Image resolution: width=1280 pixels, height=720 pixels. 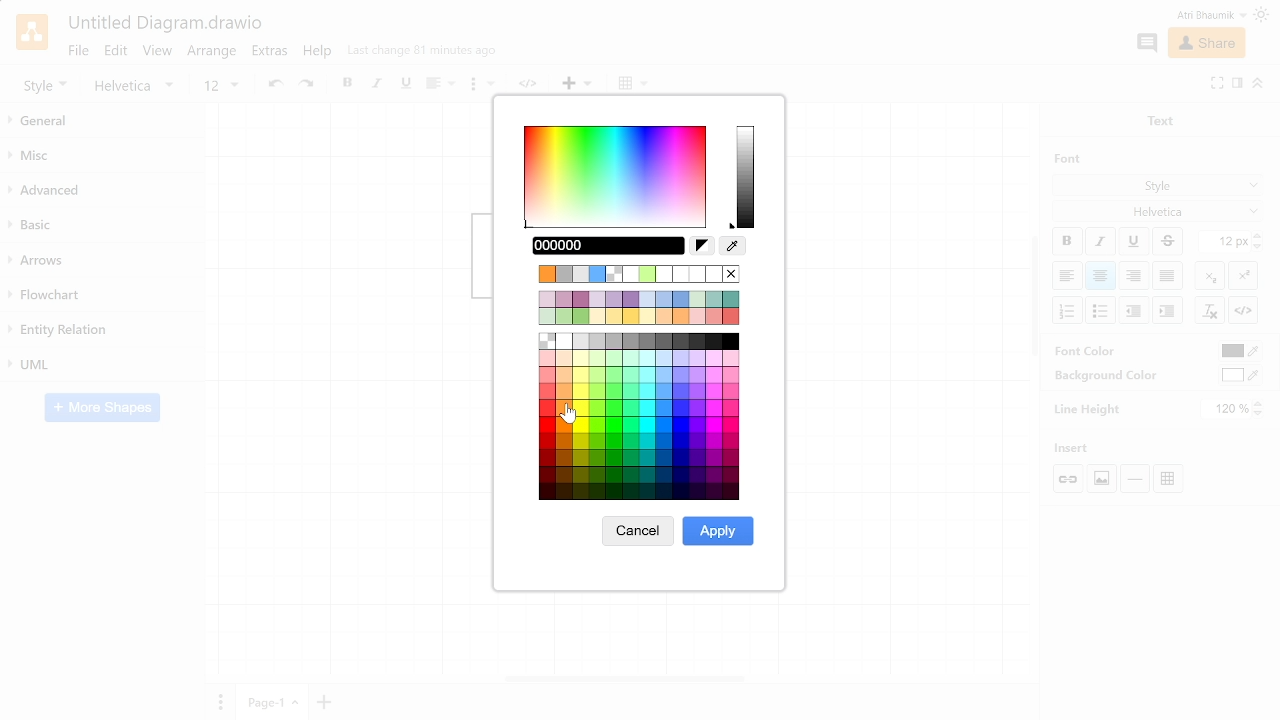 What do you see at coordinates (77, 50) in the screenshot?
I see `File` at bounding box center [77, 50].